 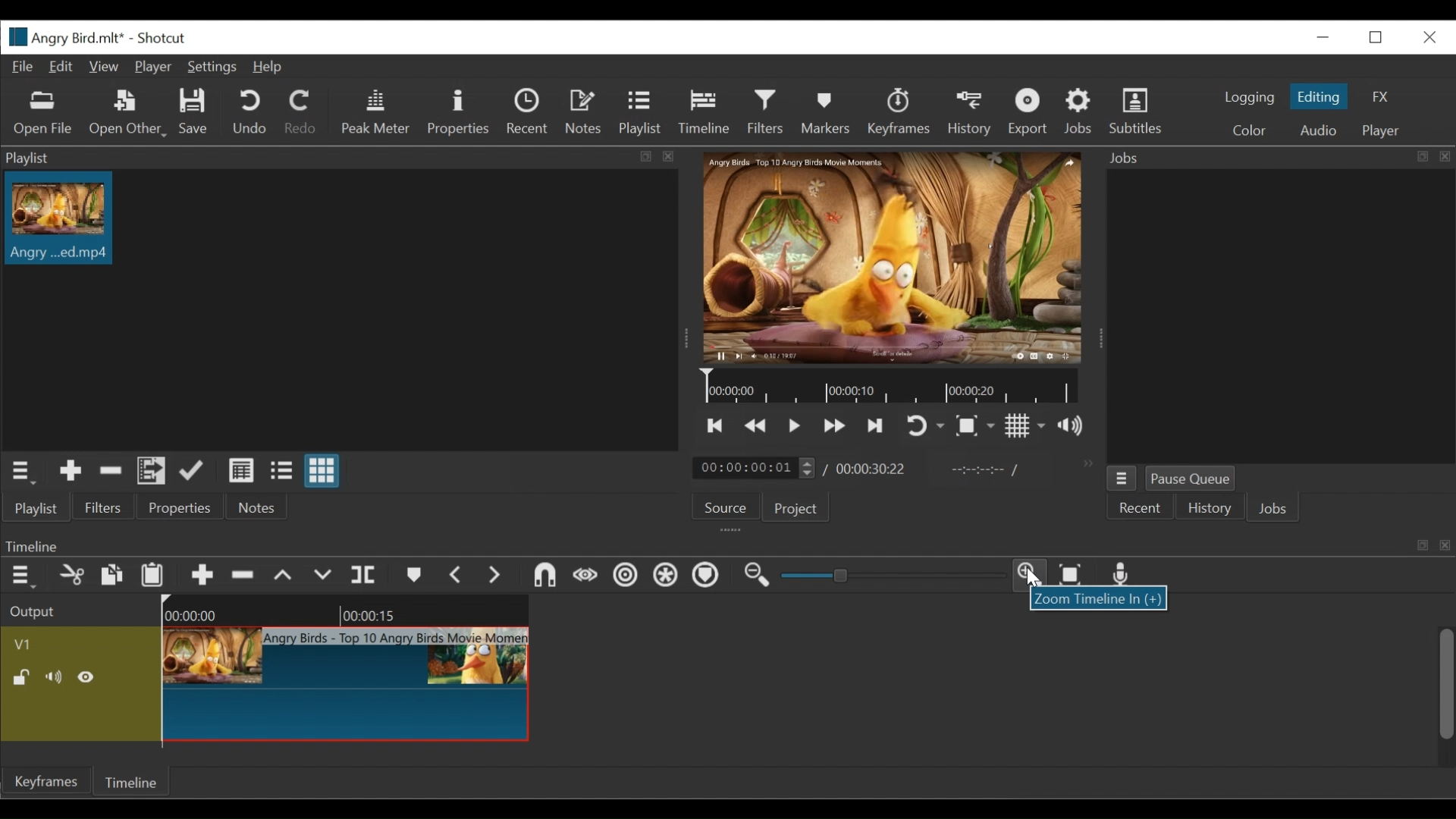 I want to click on Color, so click(x=1250, y=129).